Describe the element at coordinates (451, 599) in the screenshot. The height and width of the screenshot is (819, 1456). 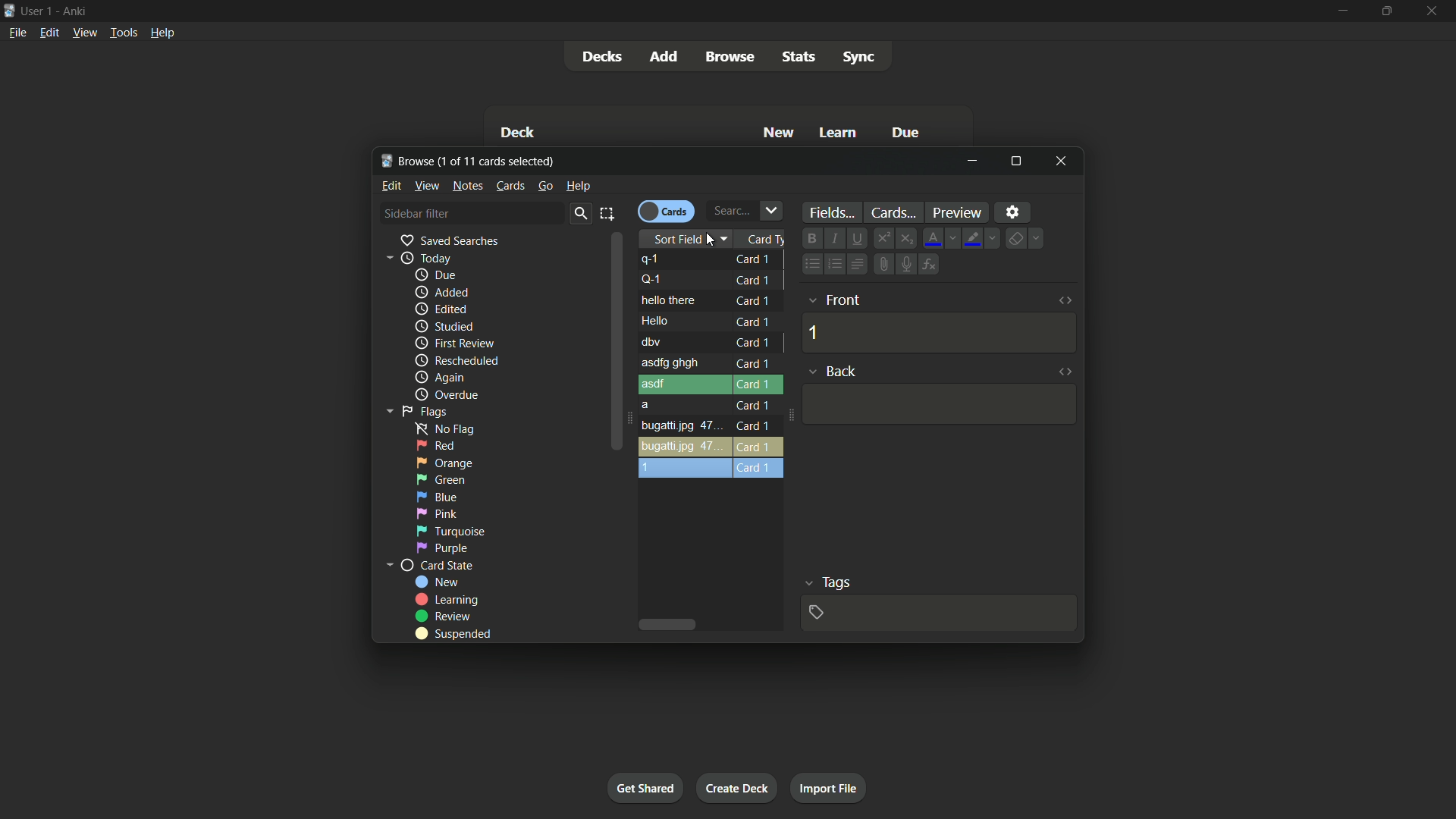
I see `learning` at that location.